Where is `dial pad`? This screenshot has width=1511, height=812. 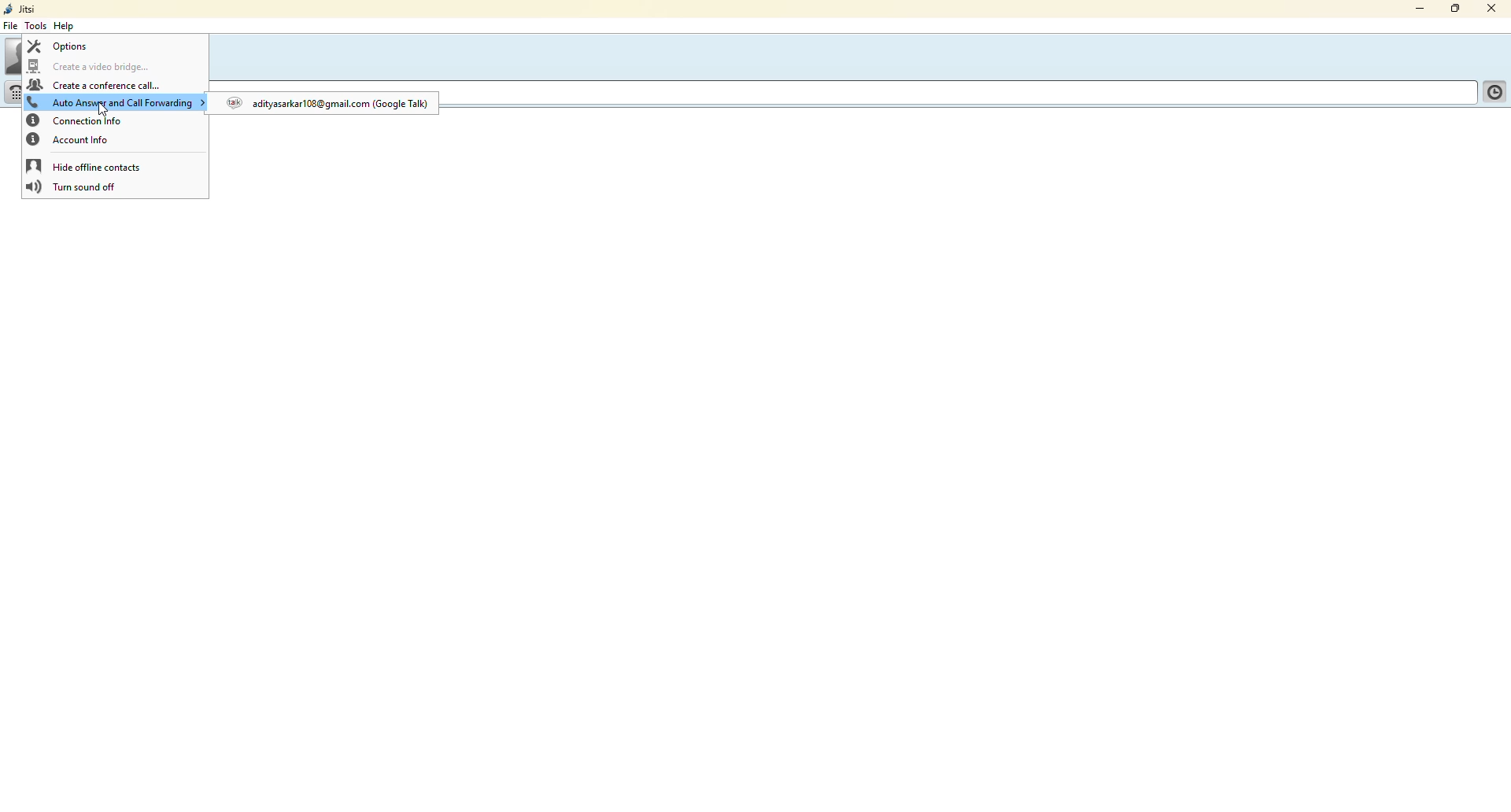 dial pad is located at coordinates (17, 93).